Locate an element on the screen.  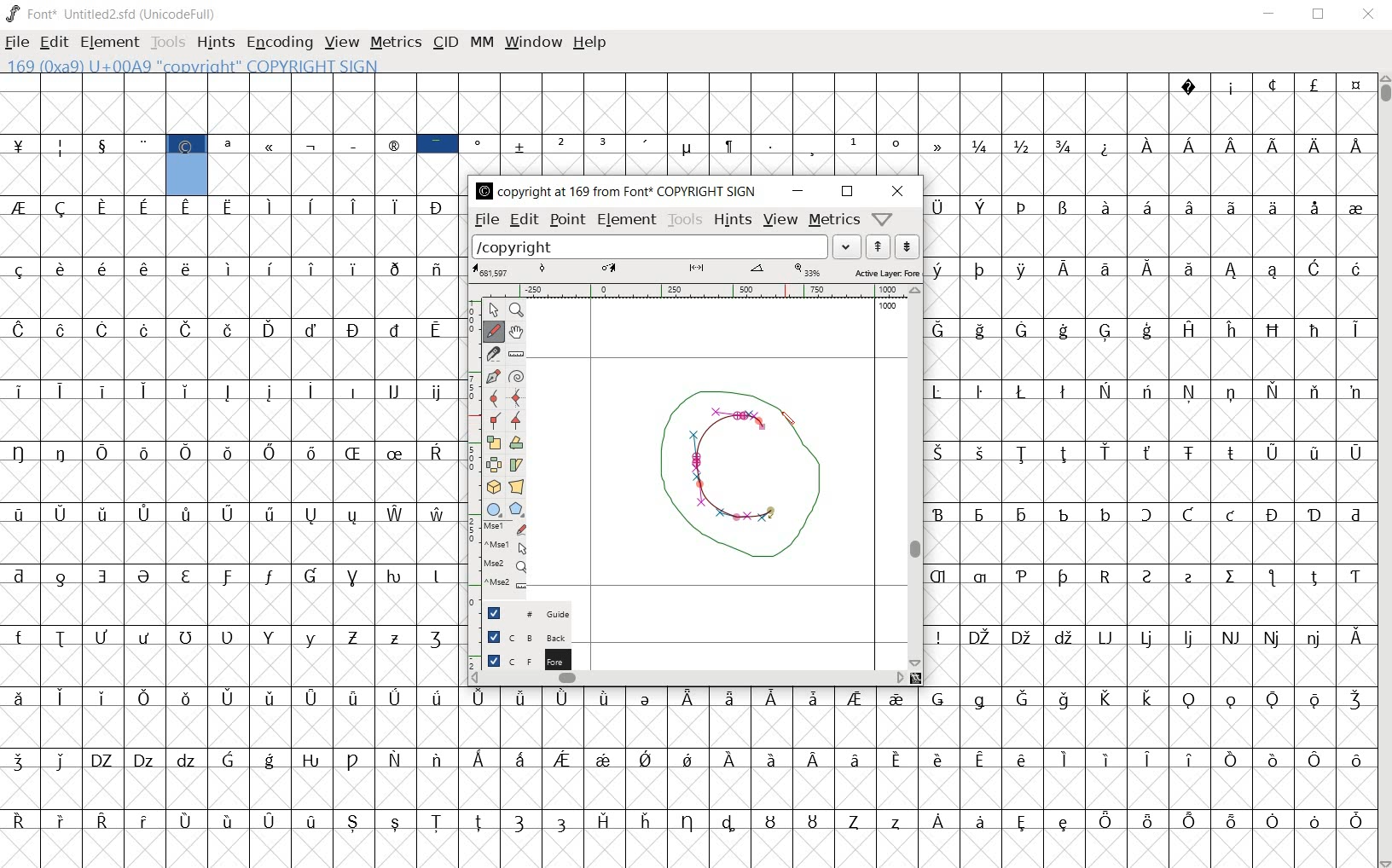
ruler is located at coordinates (694, 291).